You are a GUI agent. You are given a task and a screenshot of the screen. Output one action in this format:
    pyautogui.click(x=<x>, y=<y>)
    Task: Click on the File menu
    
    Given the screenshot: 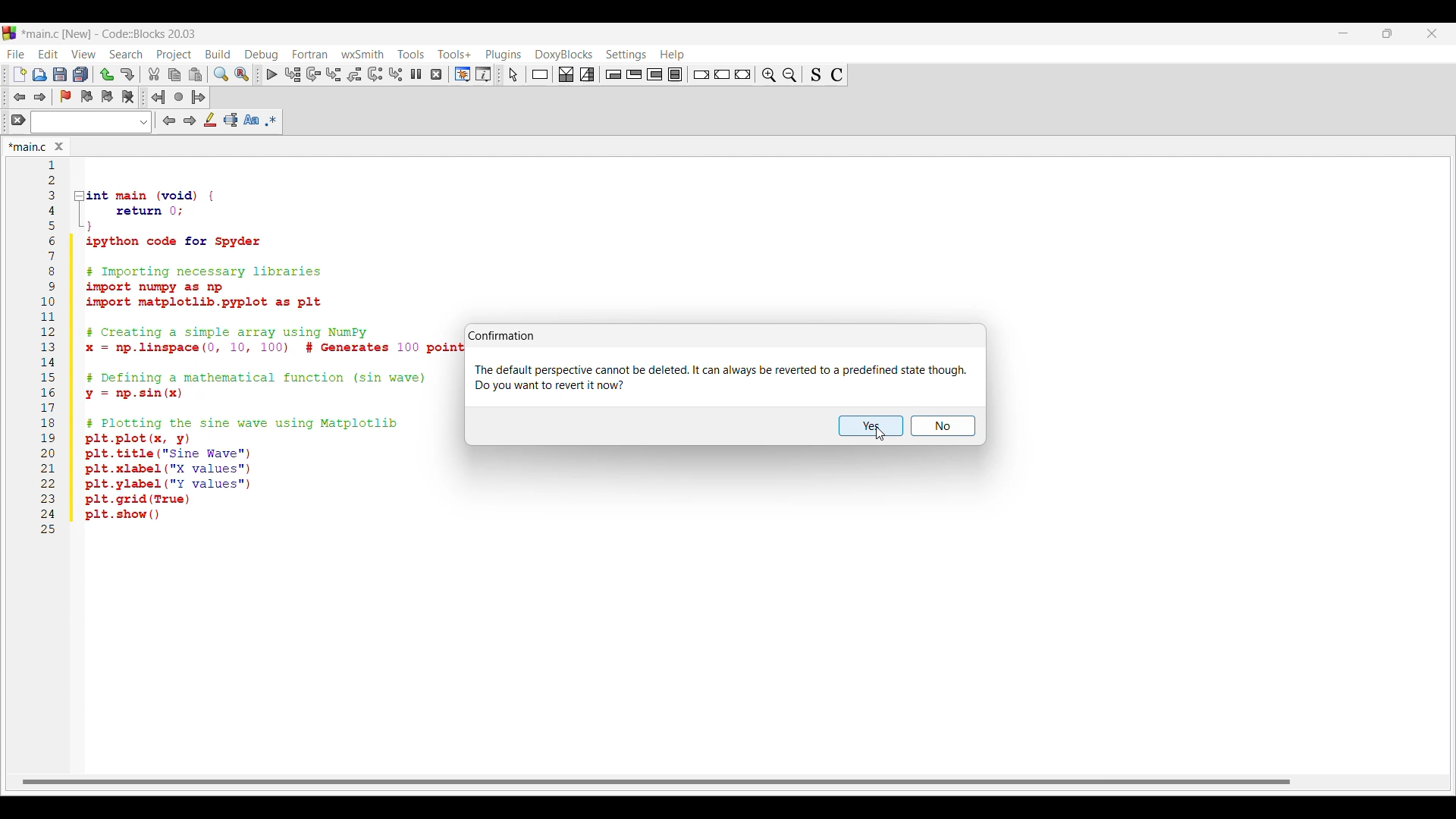 What is the action you would take?
    pyautogui.click(x=15, y=55)
    